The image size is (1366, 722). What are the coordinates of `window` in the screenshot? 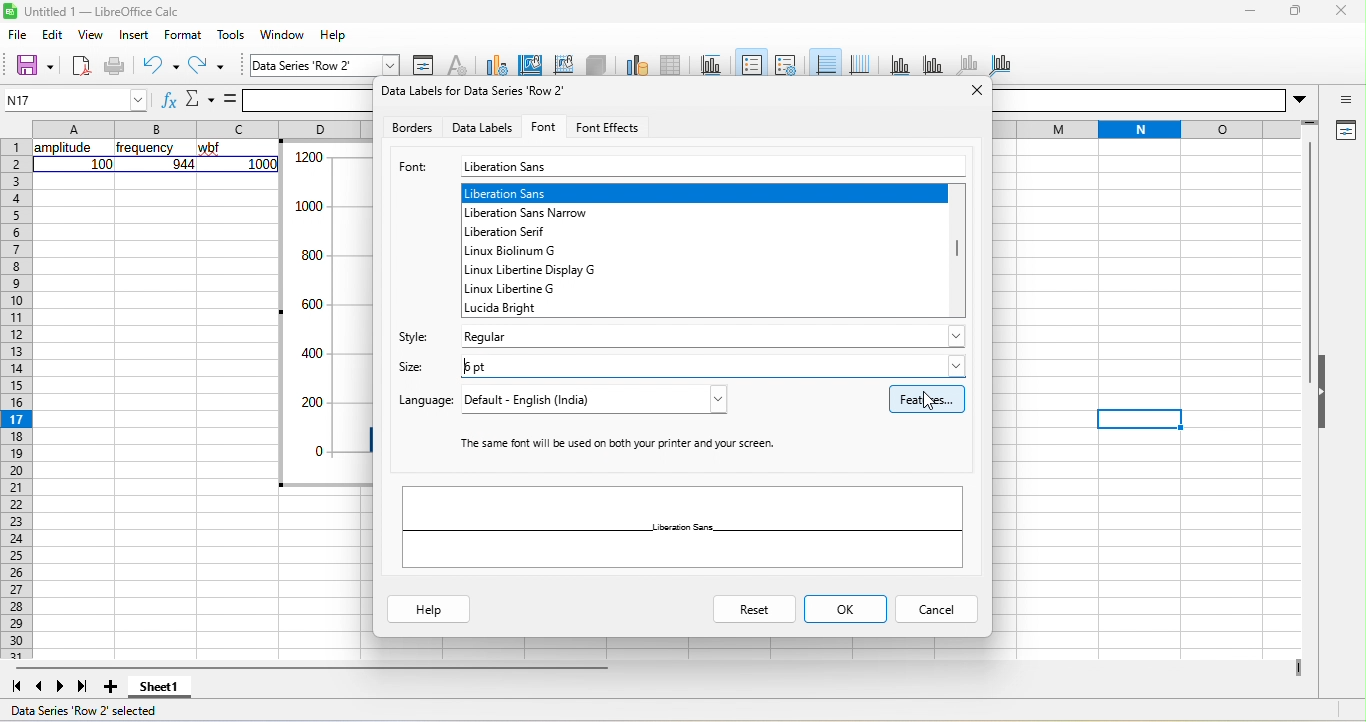 It's located at (280, 35).